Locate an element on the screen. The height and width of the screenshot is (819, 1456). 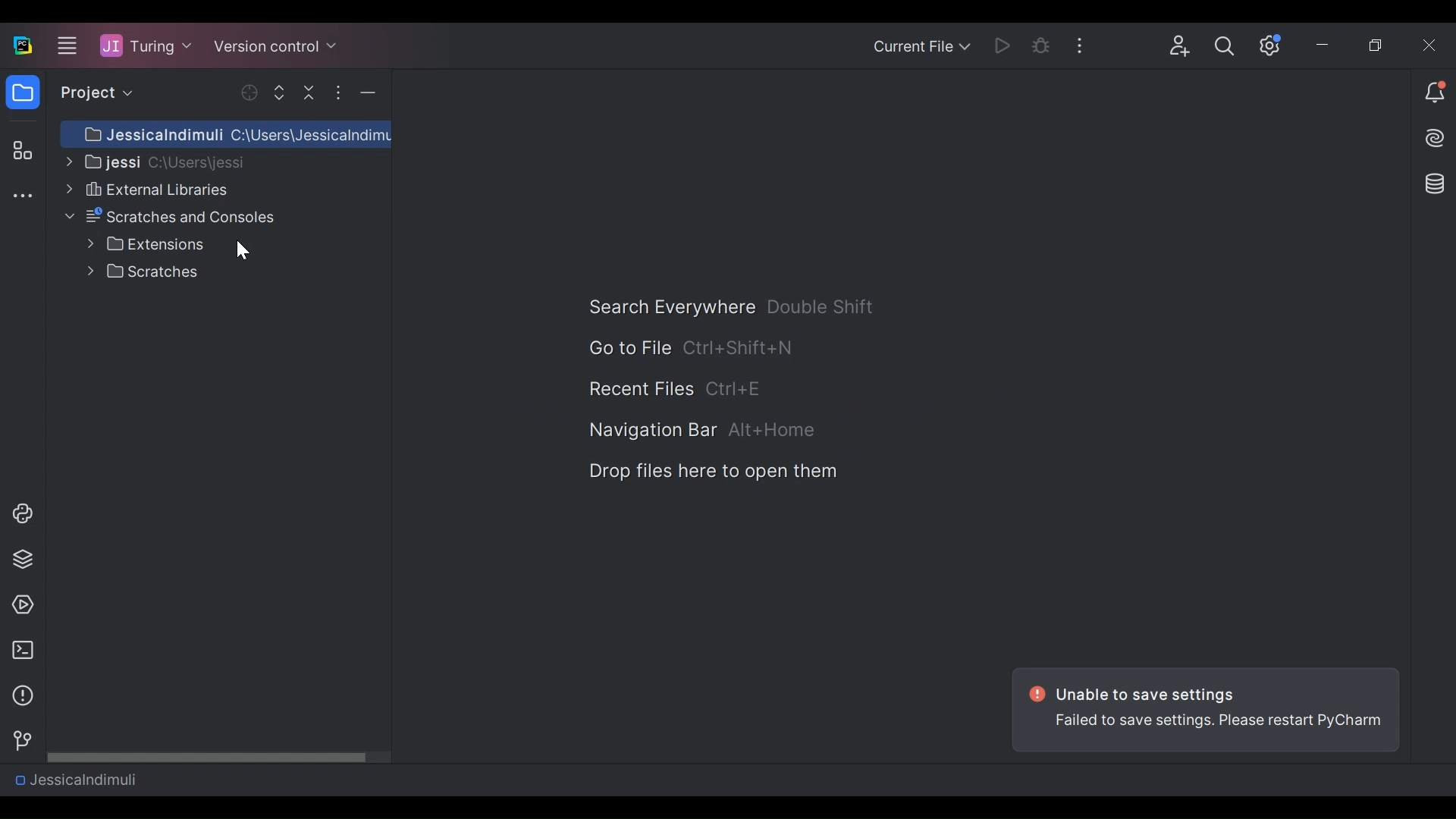
Collapse All is located at coordinates (311, 92).